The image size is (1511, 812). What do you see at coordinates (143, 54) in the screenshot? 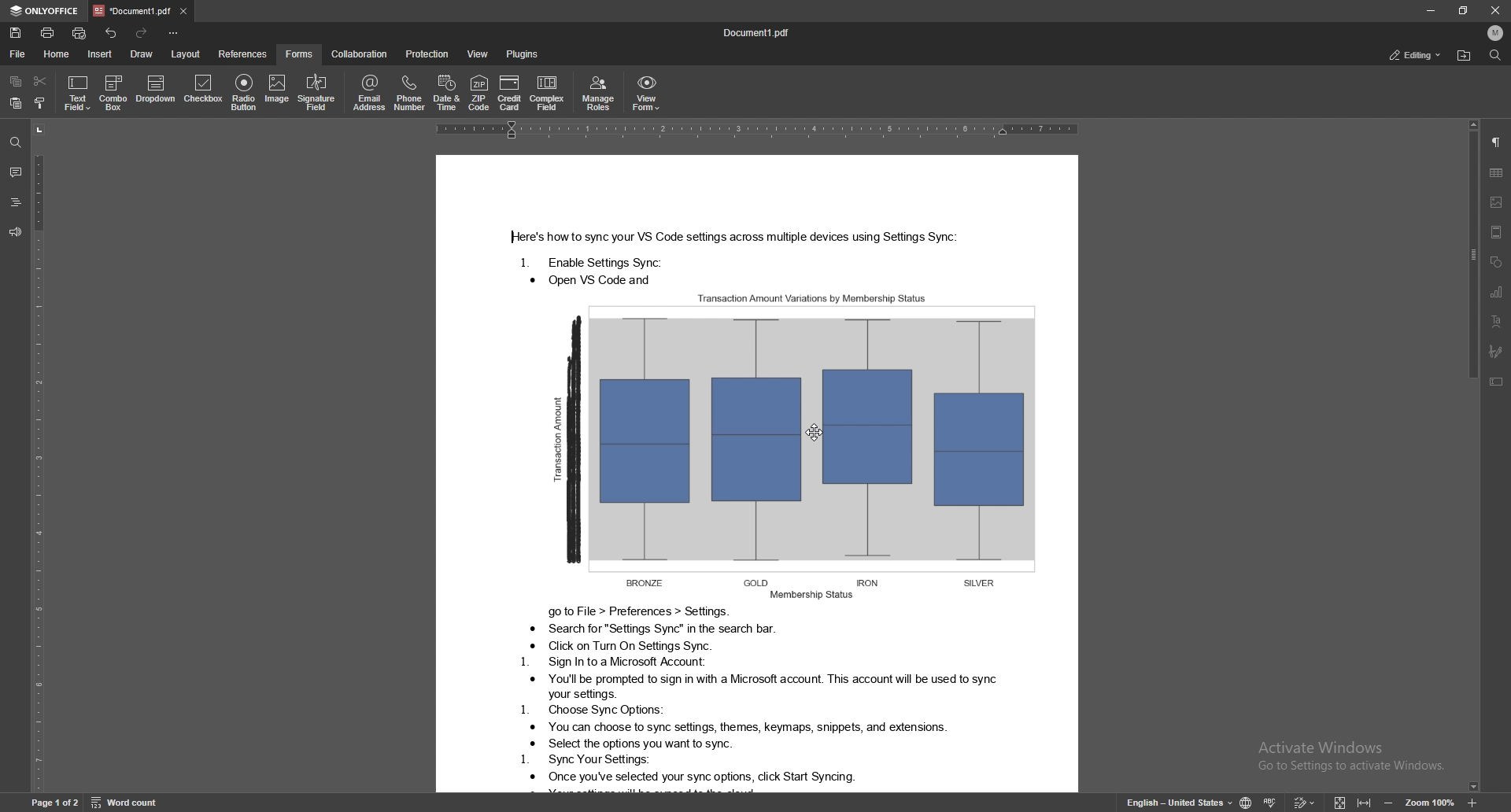
I see `draw` at bounding box center [143, 54].